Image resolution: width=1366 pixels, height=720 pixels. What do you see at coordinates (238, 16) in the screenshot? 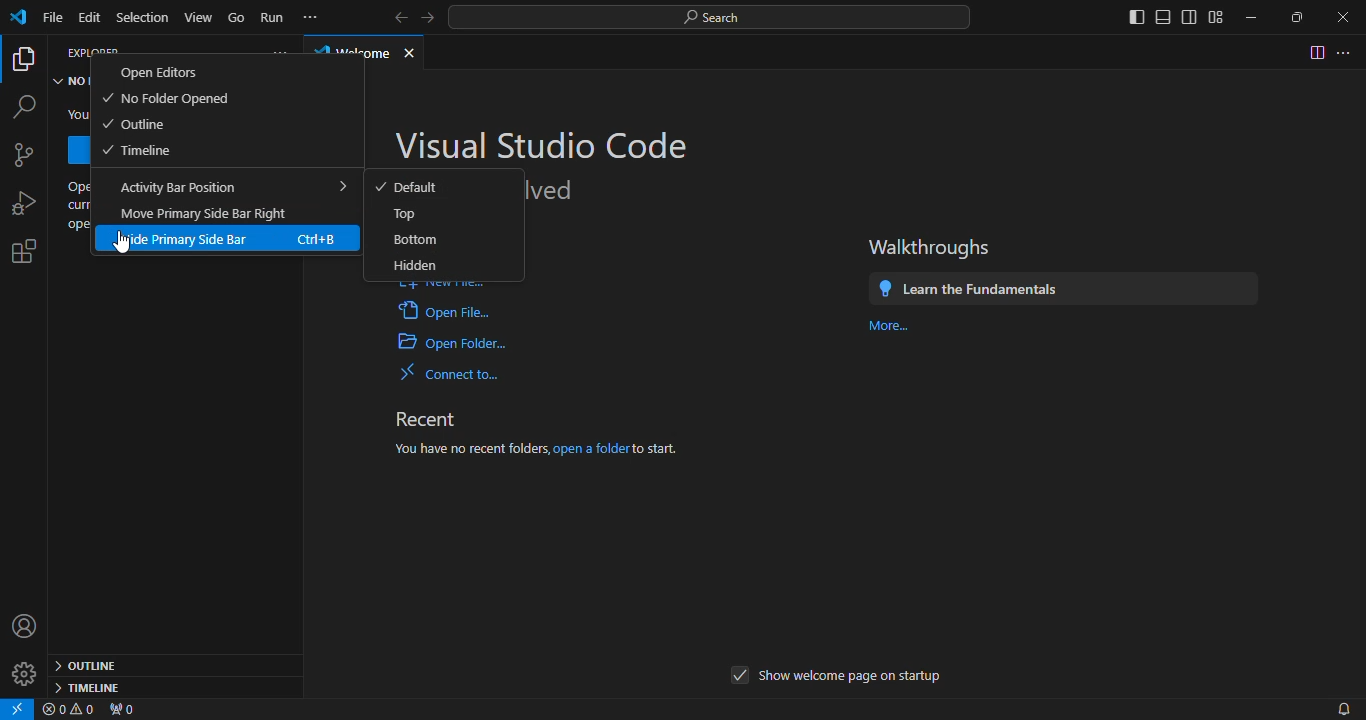
I see `Go` at bounding box center [238, 16].